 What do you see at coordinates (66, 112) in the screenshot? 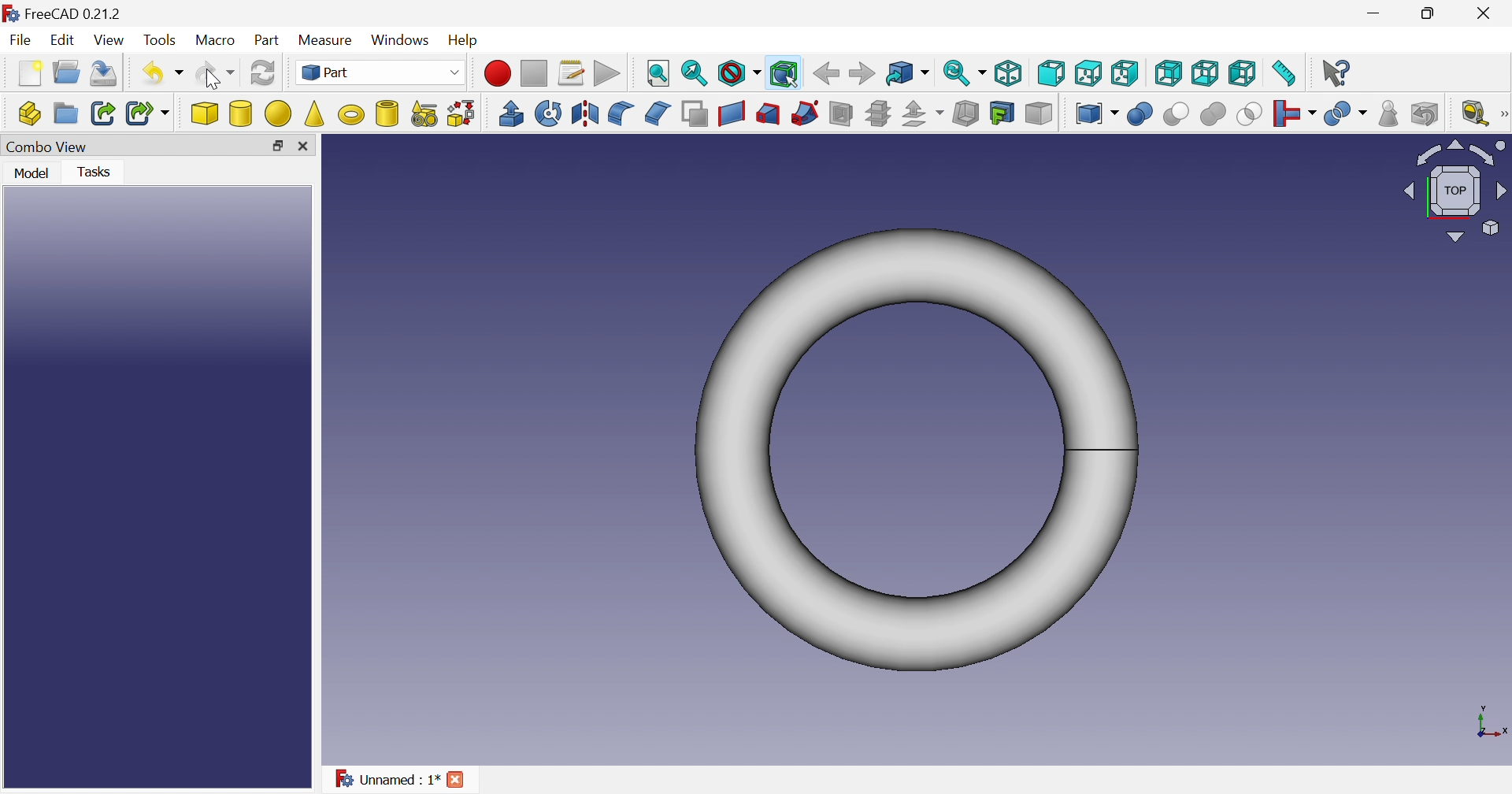
I see `Create group` at bounding box center [66, 112].